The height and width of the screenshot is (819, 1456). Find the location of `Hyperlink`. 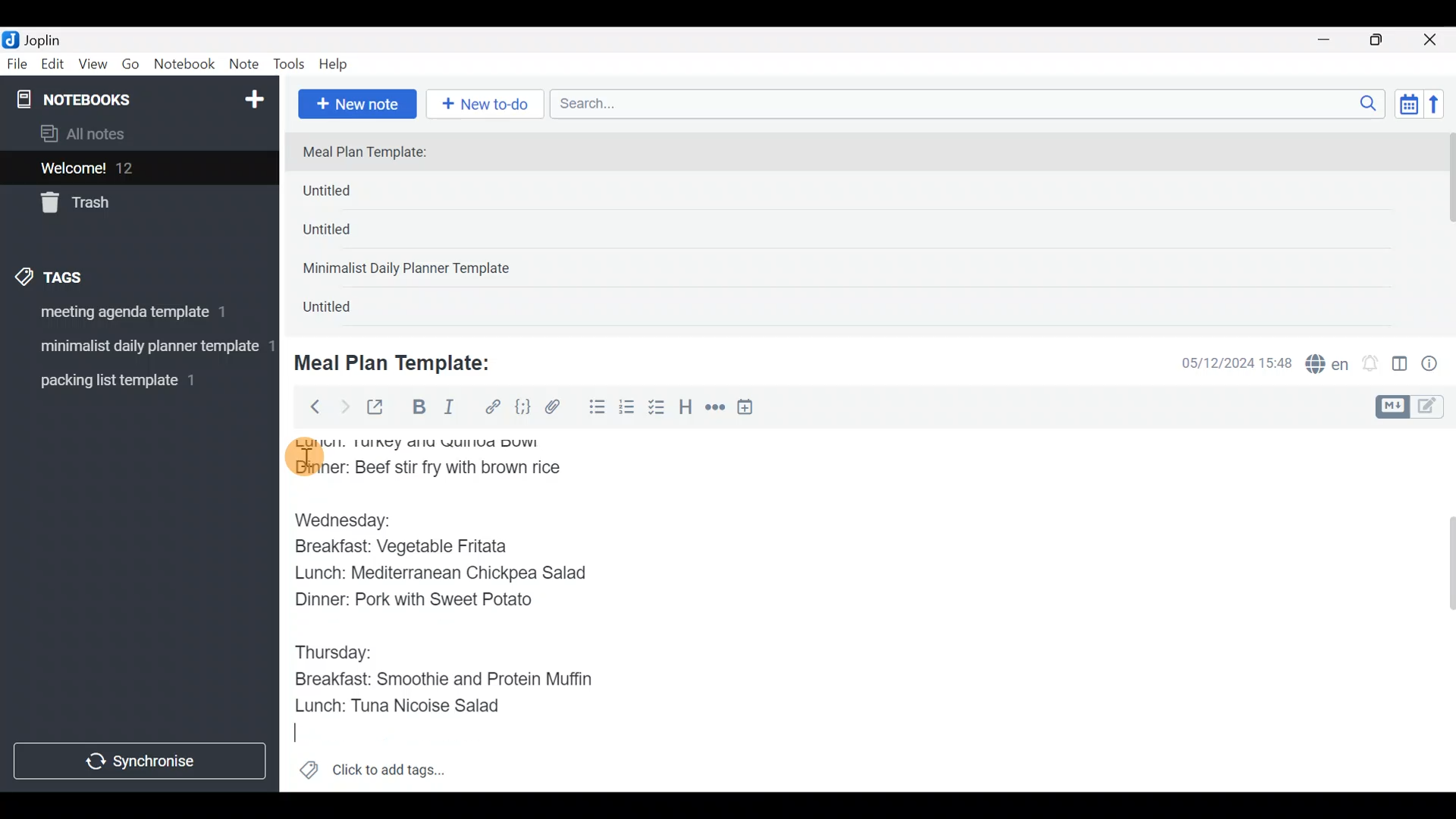

Hyperlink is located at coordinates (493, 407).